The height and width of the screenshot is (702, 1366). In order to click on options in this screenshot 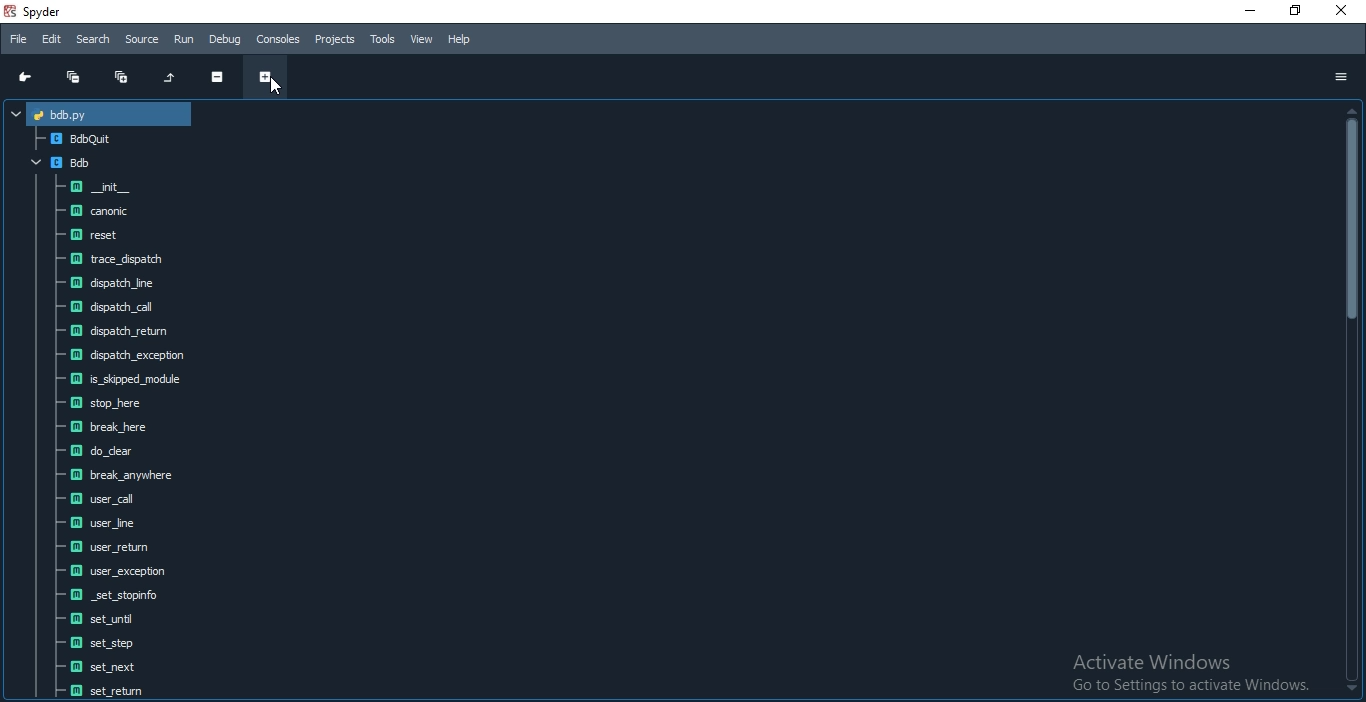, I will do `click(1339, 76)`.